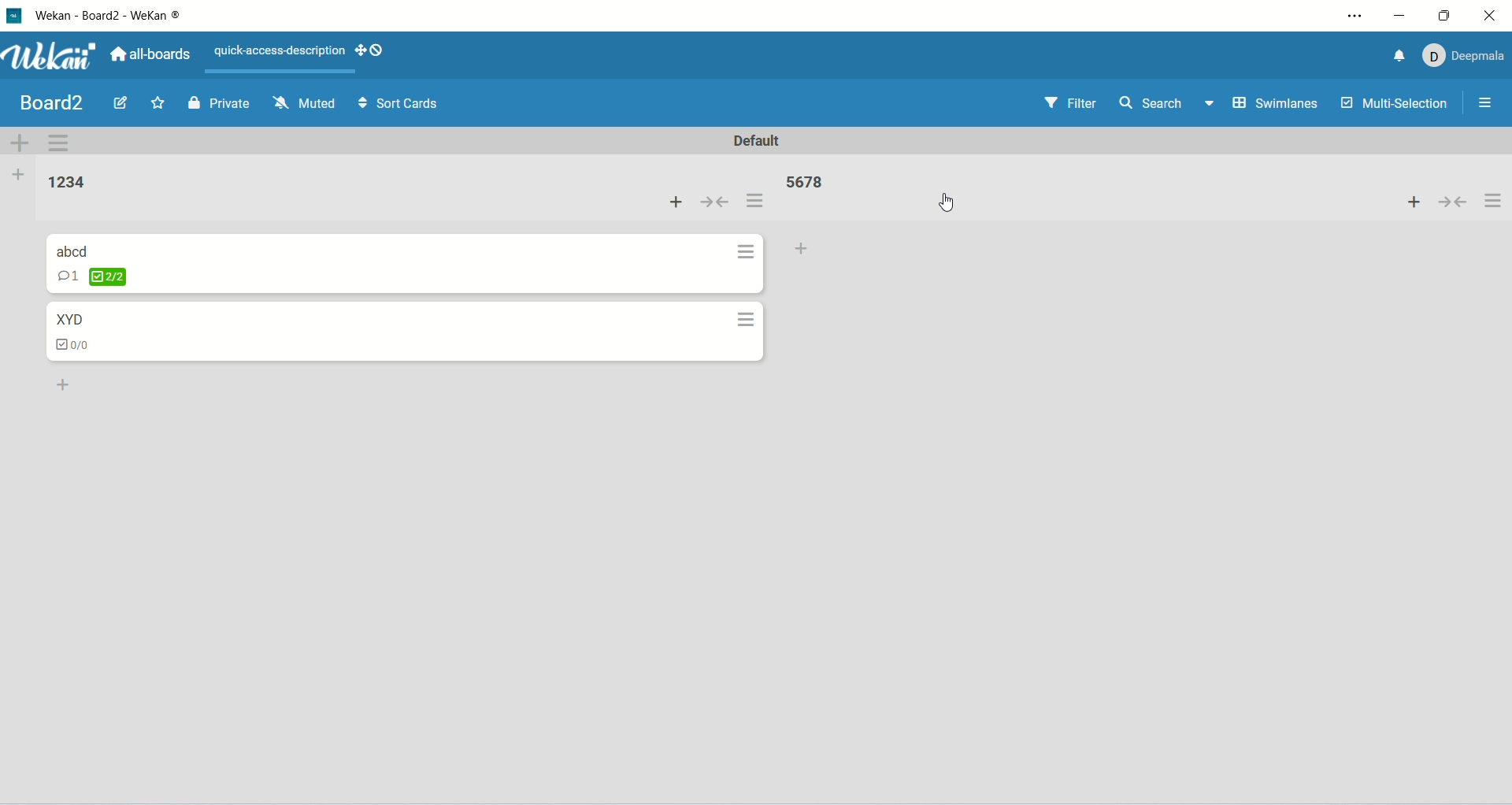  Describe the element at coordinates (1466, 57) in the screenshot. I see `account` at that location.